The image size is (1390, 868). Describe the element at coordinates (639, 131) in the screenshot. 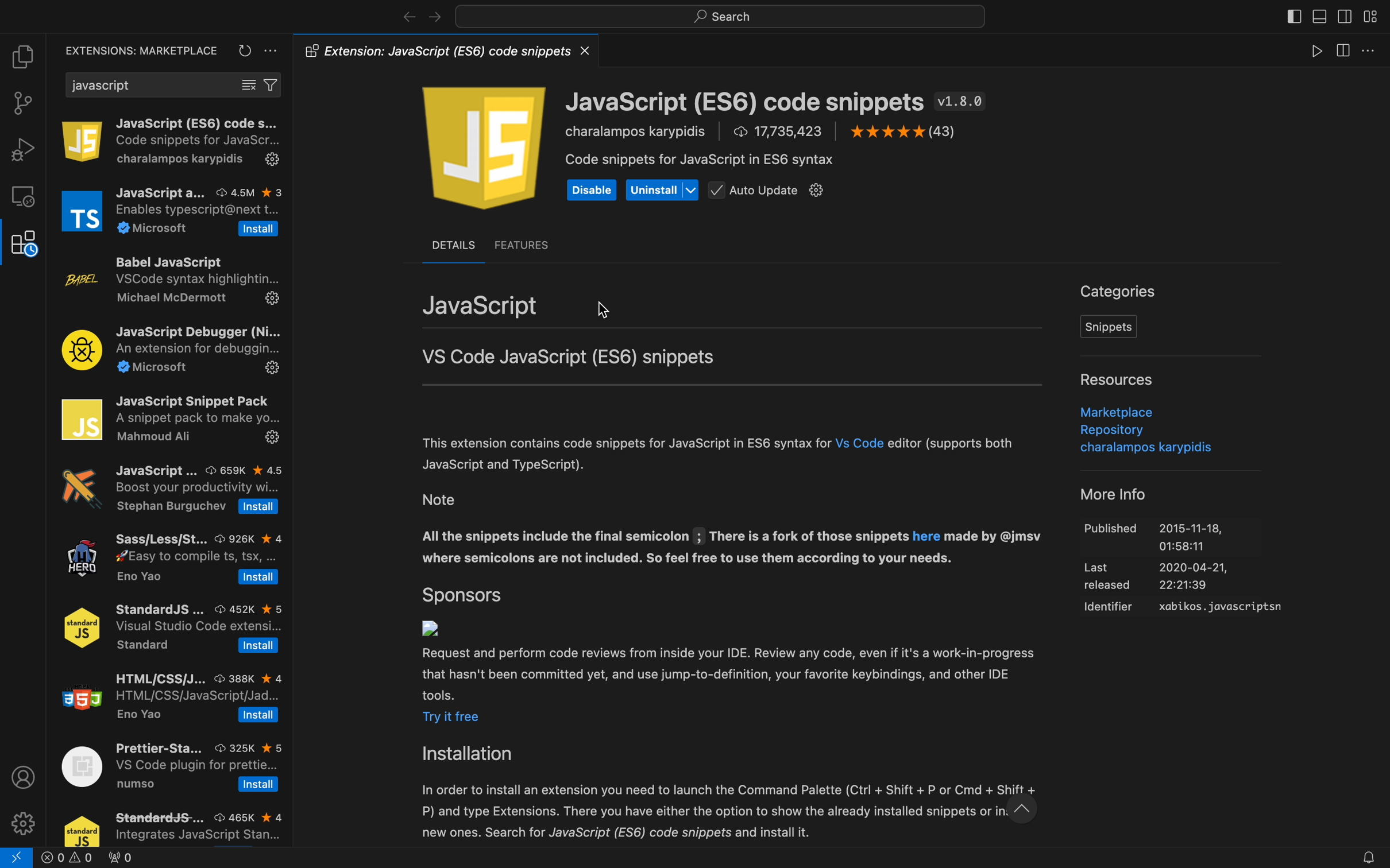

I see `Code snippets for JavaS` at that location.